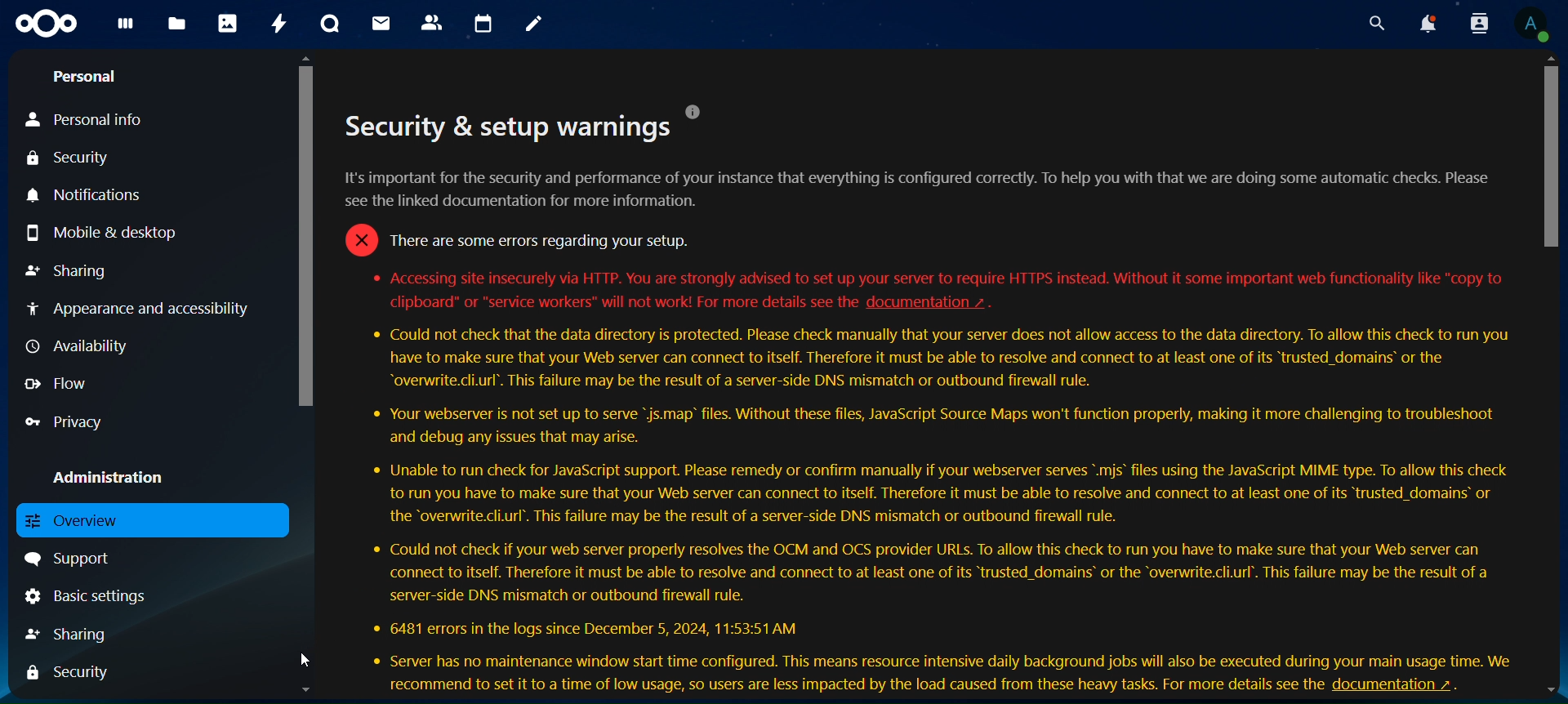 Image resolution: width=1568 pixels, height=704 pixels. Describe the element at coordinates (75, 634) in the screenshot. I see `sharing` at that location.